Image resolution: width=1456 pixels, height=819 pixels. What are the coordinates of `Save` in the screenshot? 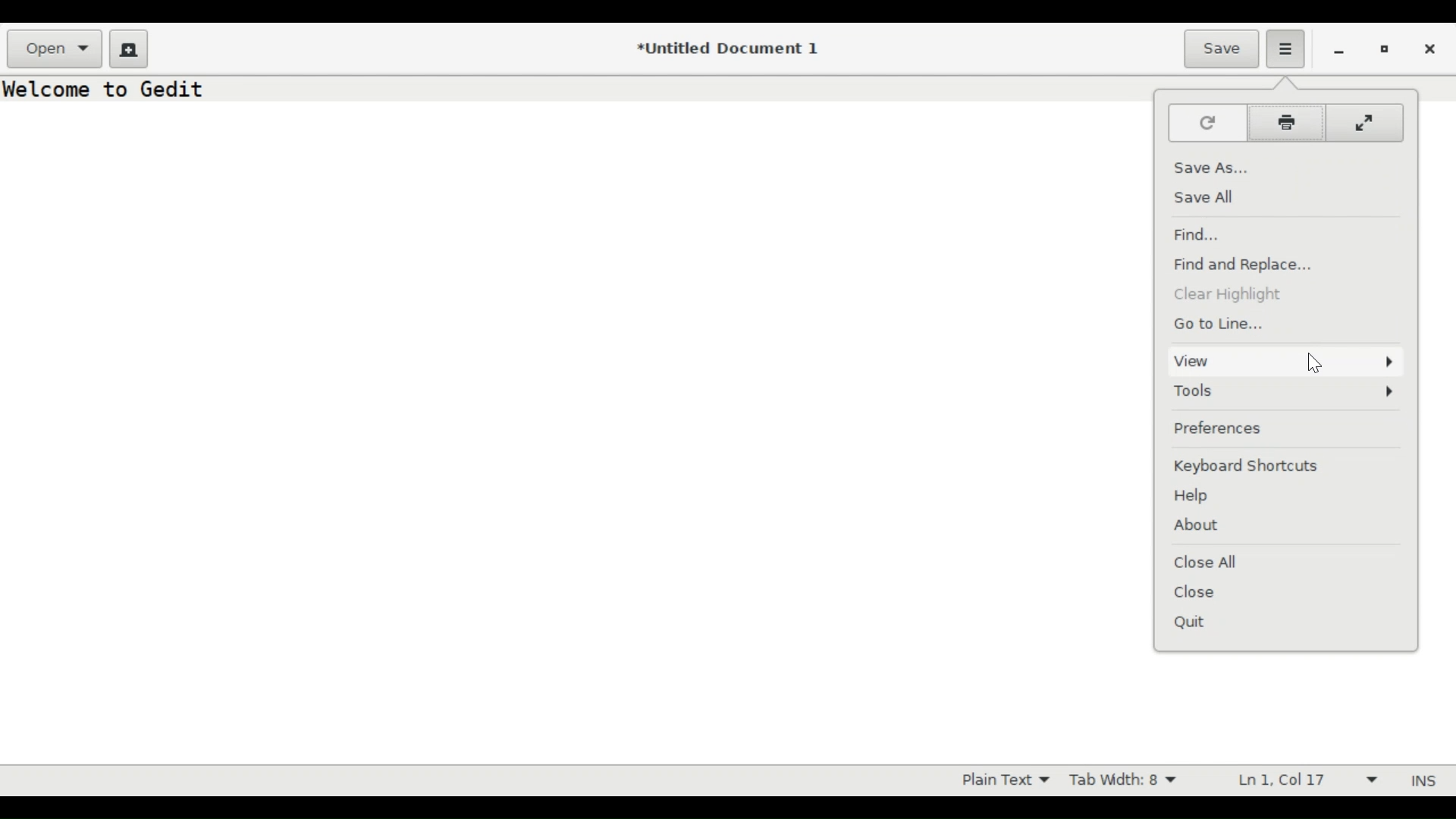 It's located at (1222, 48).